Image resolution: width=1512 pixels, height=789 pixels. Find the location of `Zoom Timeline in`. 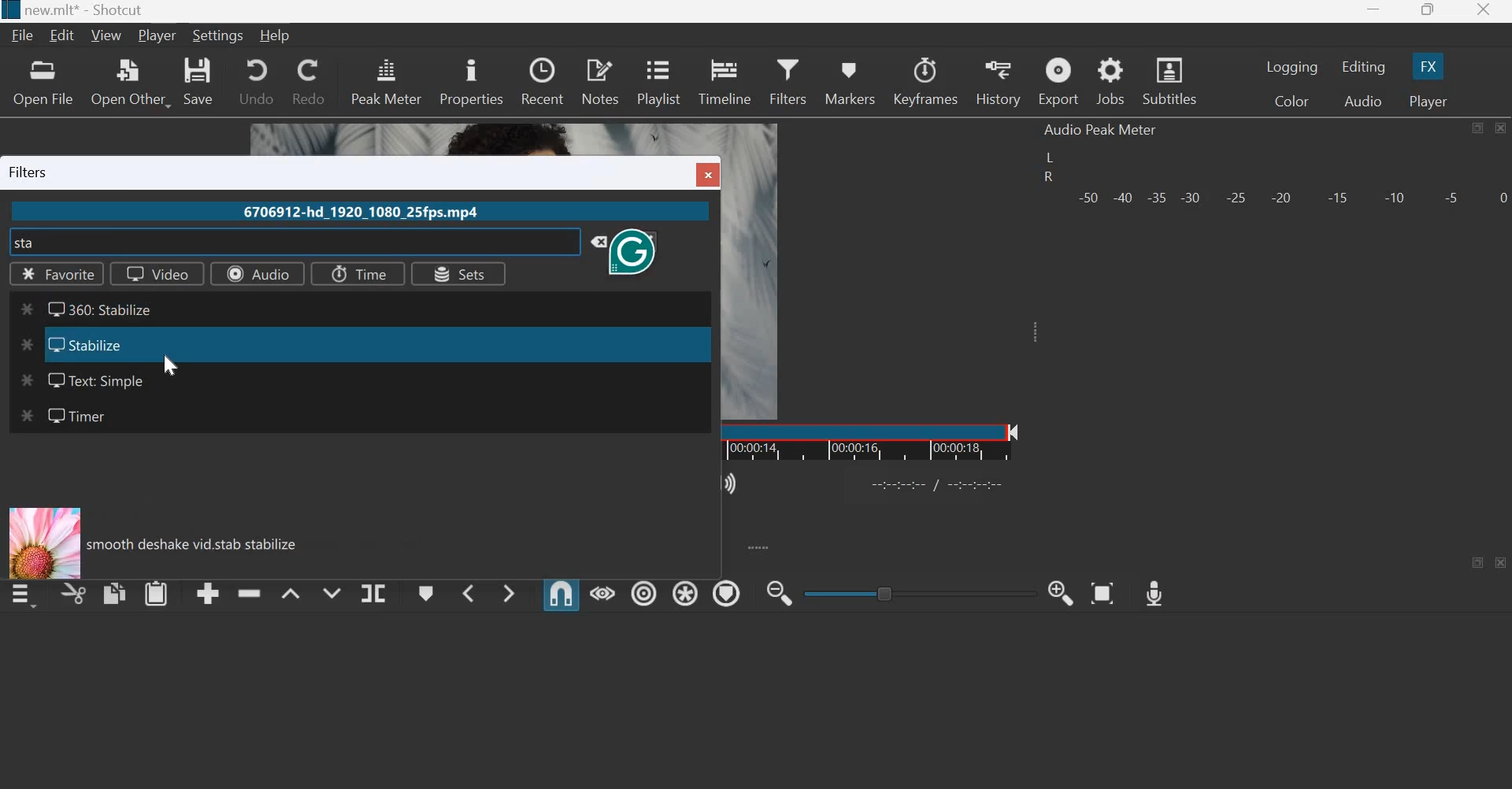

Zoom Timeline in is located at coordinates (1063, 593).